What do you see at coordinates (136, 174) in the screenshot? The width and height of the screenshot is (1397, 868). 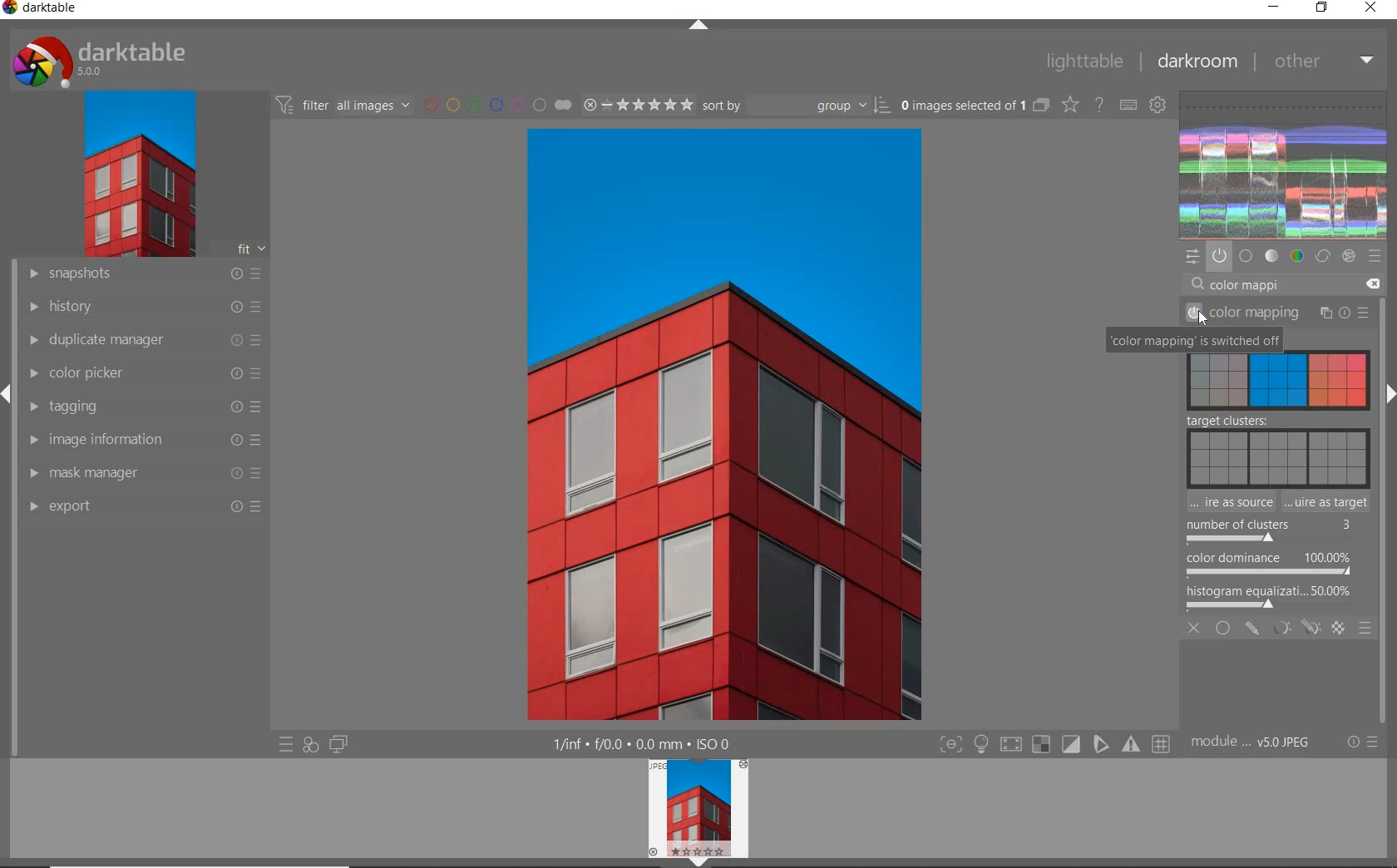 I see `image` at bounding box center [136, 174].